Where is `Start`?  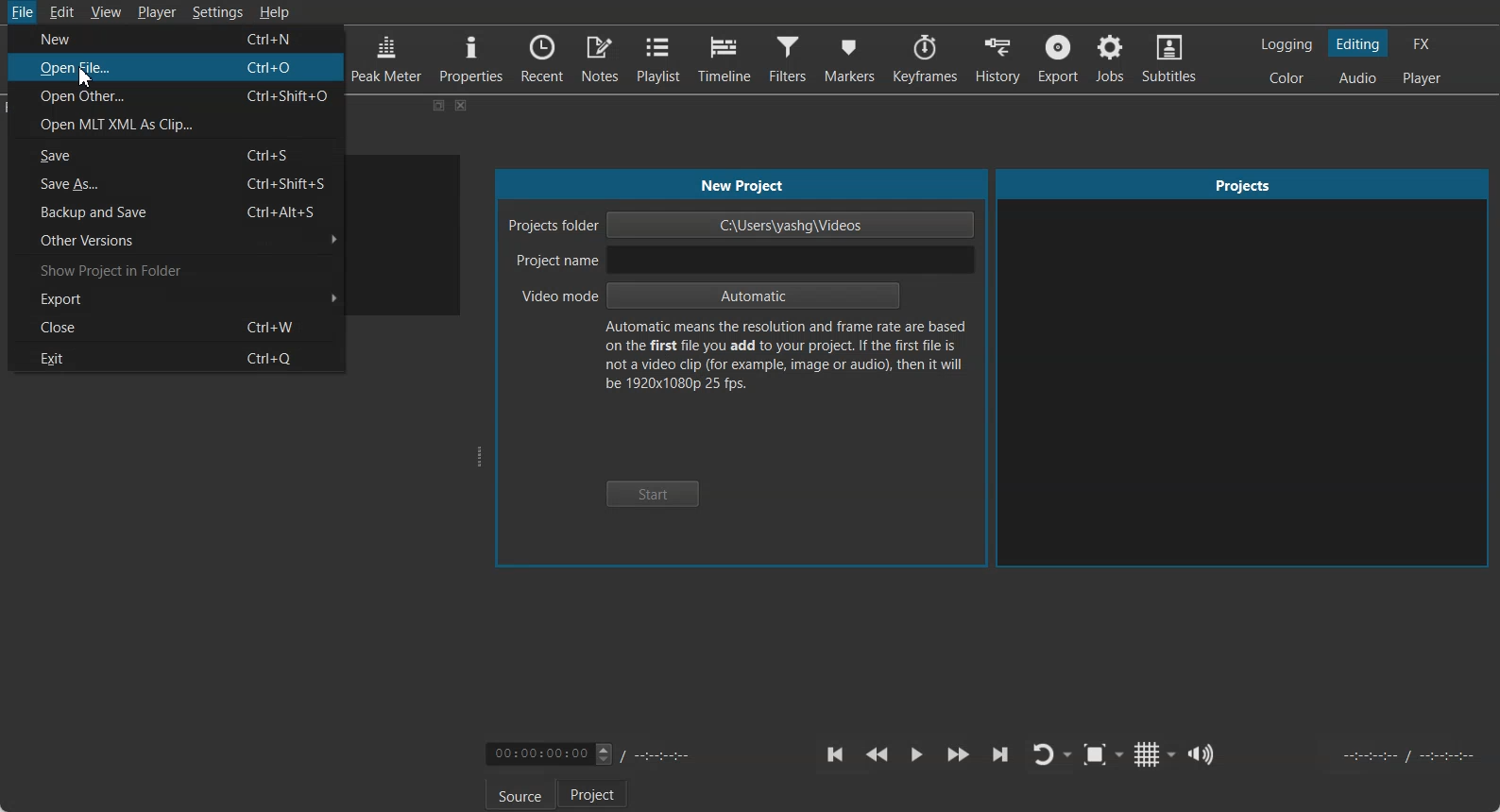 Start is located at coordinates (654, 495).